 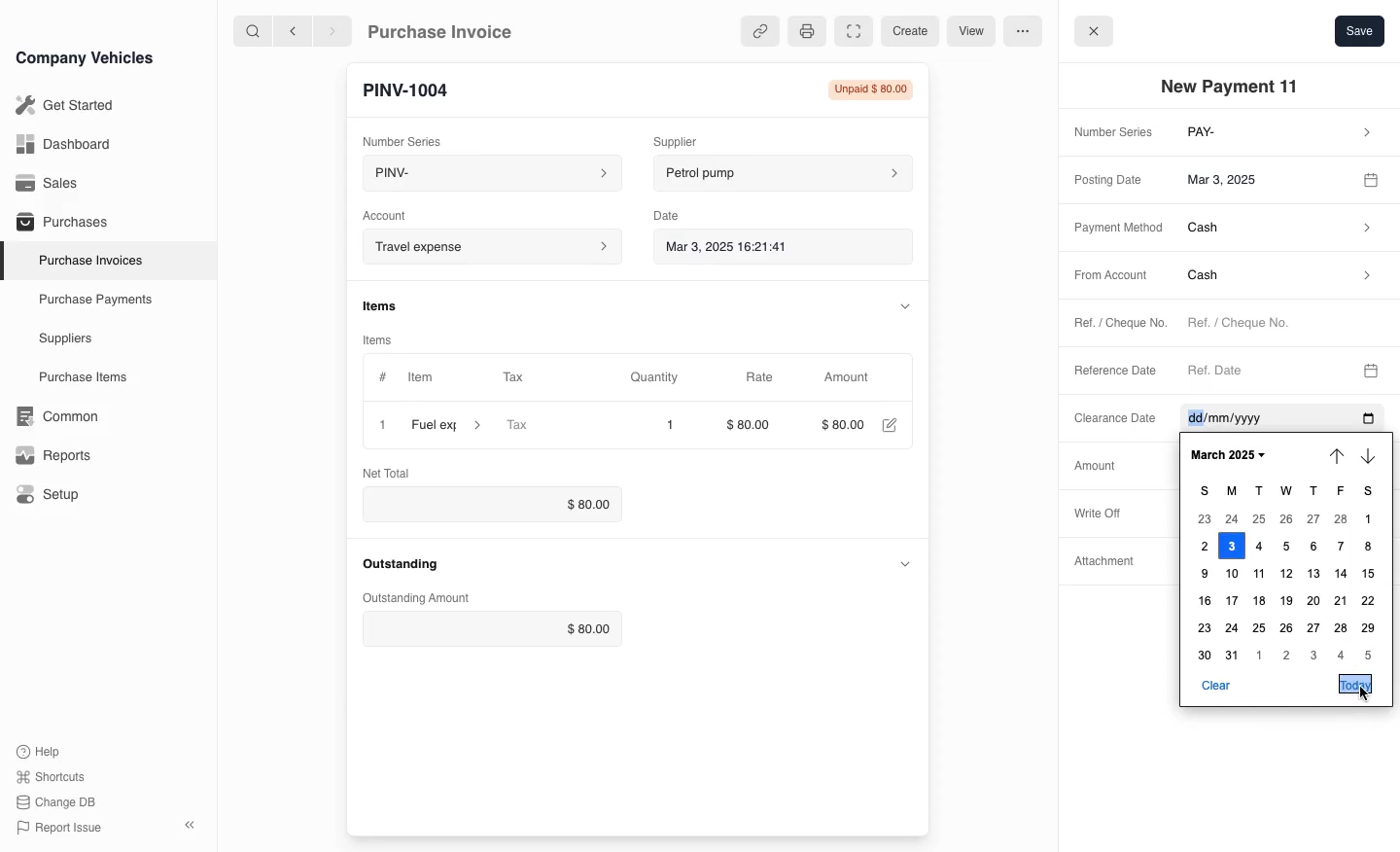 I want to click on Purchase Invoice, so click(x=453, y=30).